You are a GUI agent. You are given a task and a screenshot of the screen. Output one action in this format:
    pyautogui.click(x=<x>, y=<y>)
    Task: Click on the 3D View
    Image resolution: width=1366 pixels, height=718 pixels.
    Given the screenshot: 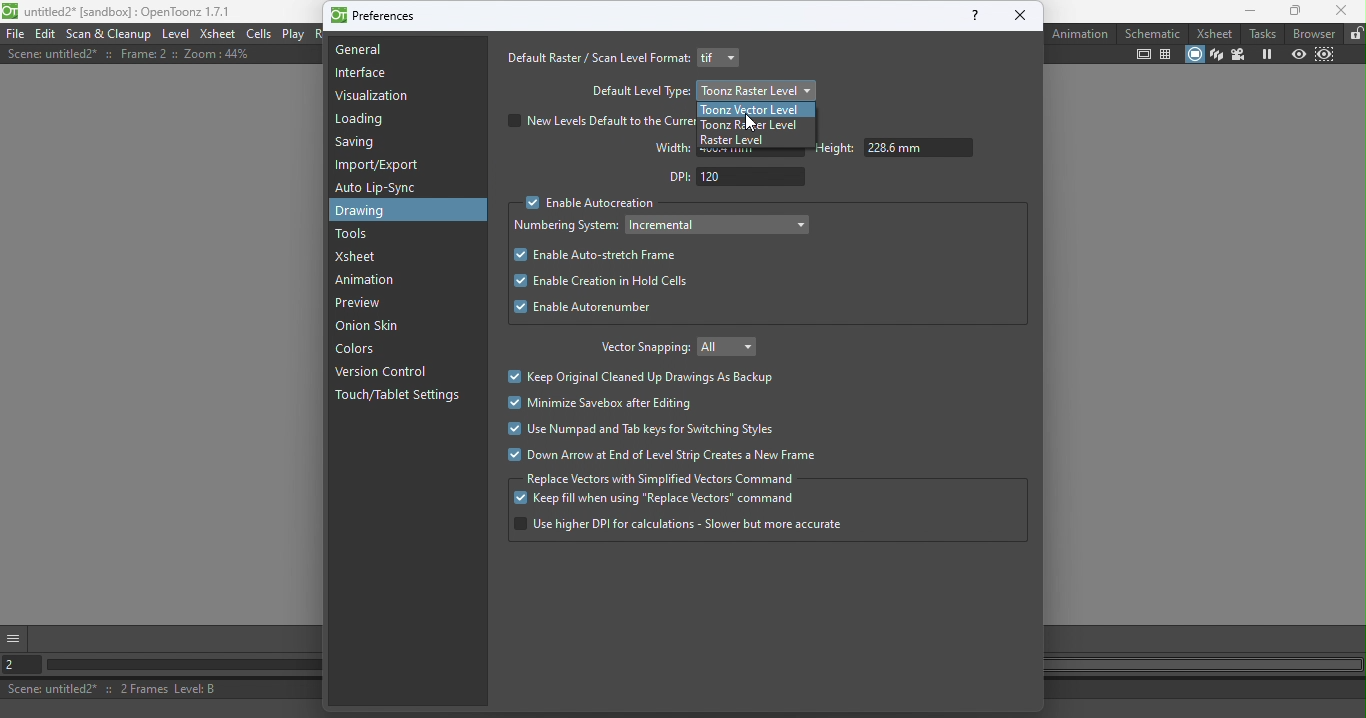 What is the action you would take?
    pyautogui.click(x=1215, y=55)
    